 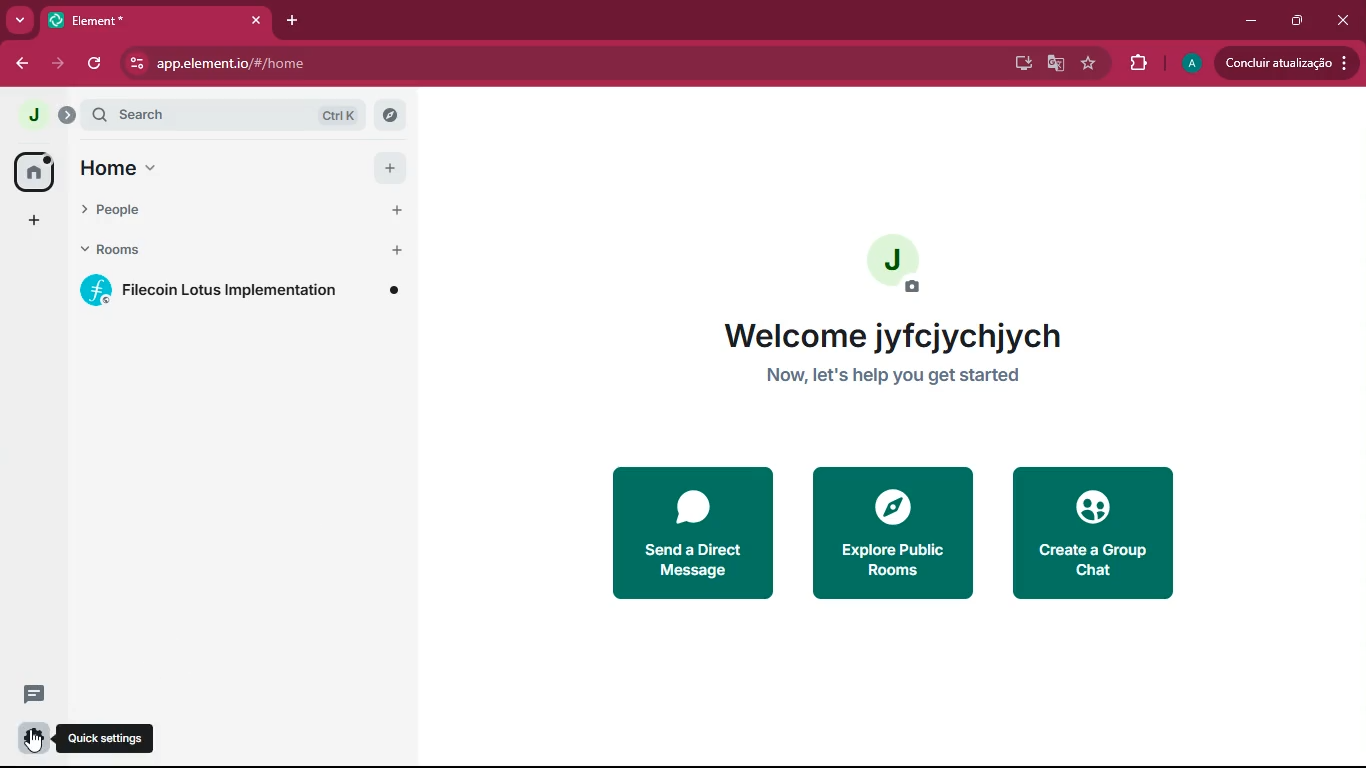 I want to click on back, so click(x=22, y=65).